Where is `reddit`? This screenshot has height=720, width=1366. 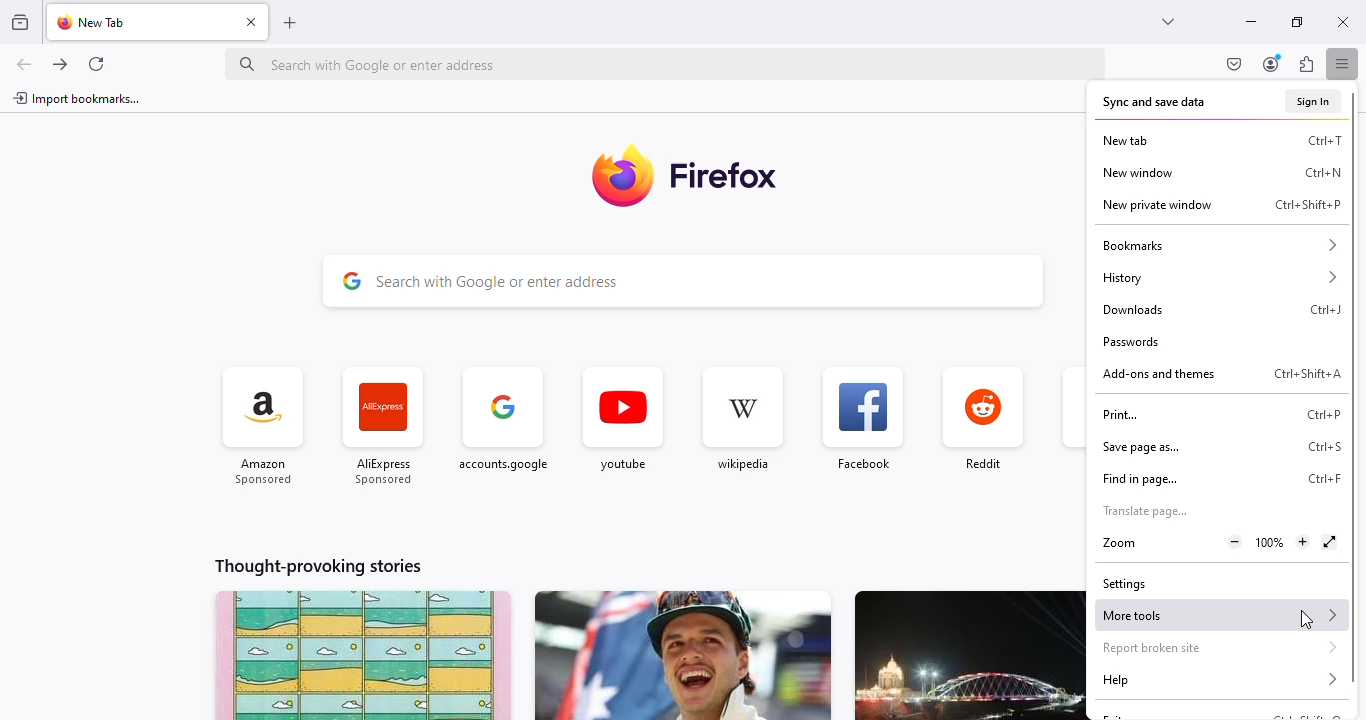 reddit is located at coordinates (983, 421).